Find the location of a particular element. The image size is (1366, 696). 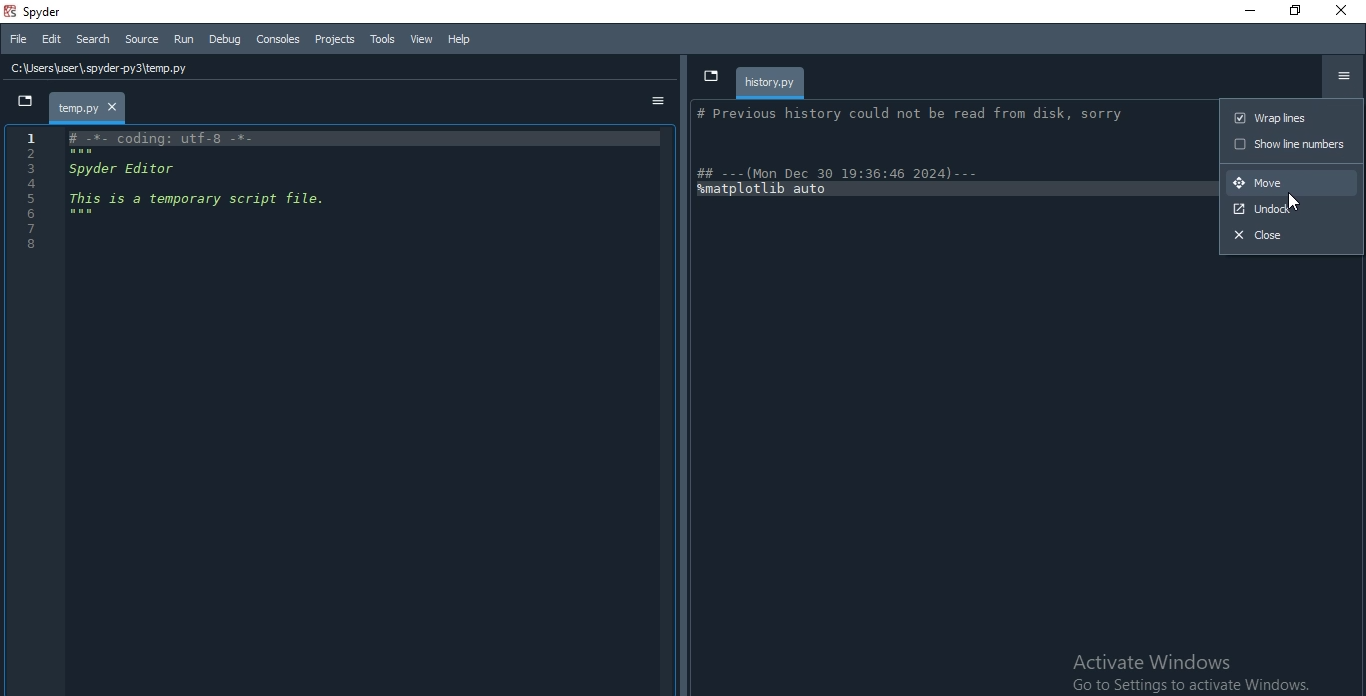

Consoles is located at coordinates (279, 39).